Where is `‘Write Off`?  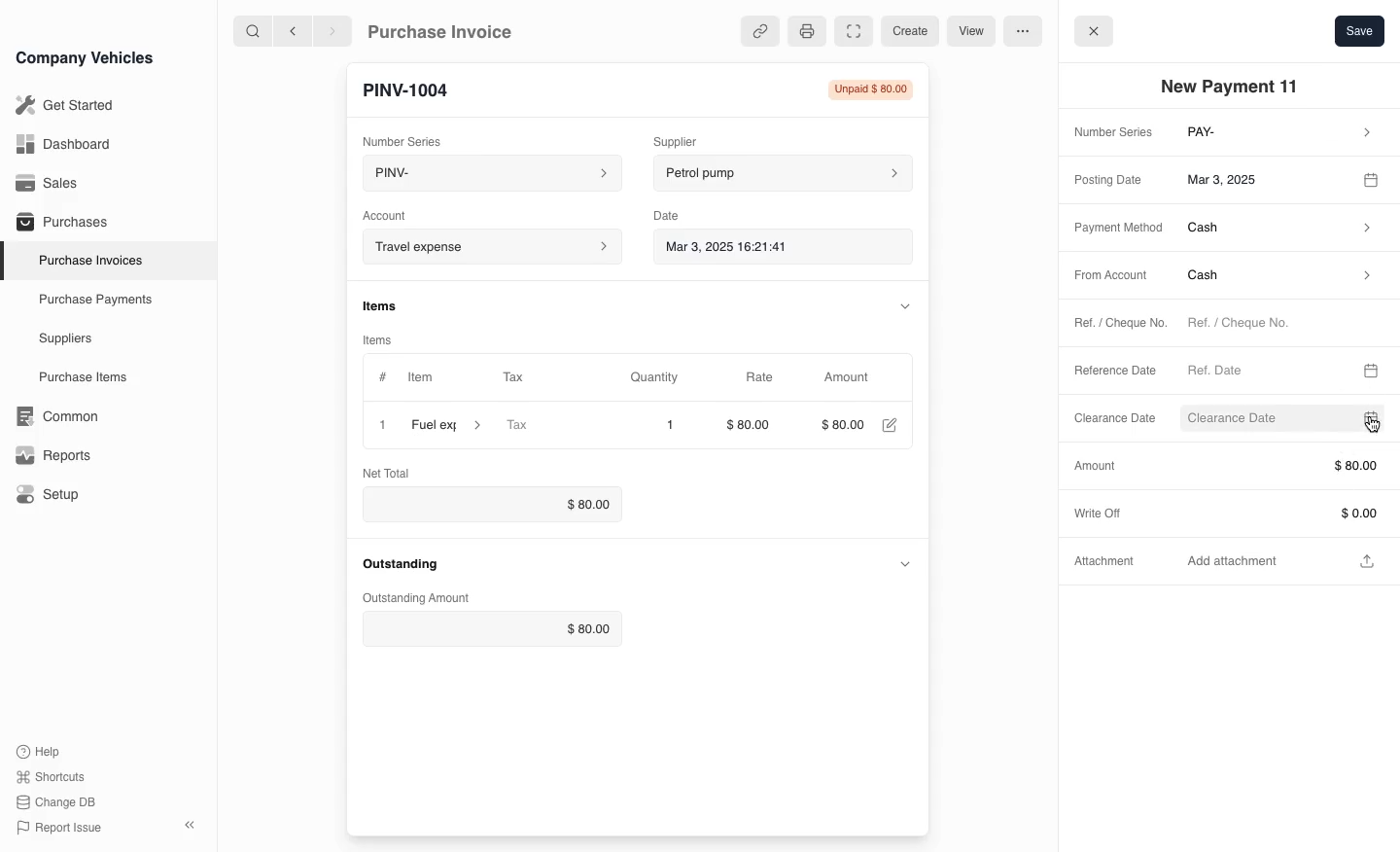
‘Write Off is located at coordinates (1104, 512).